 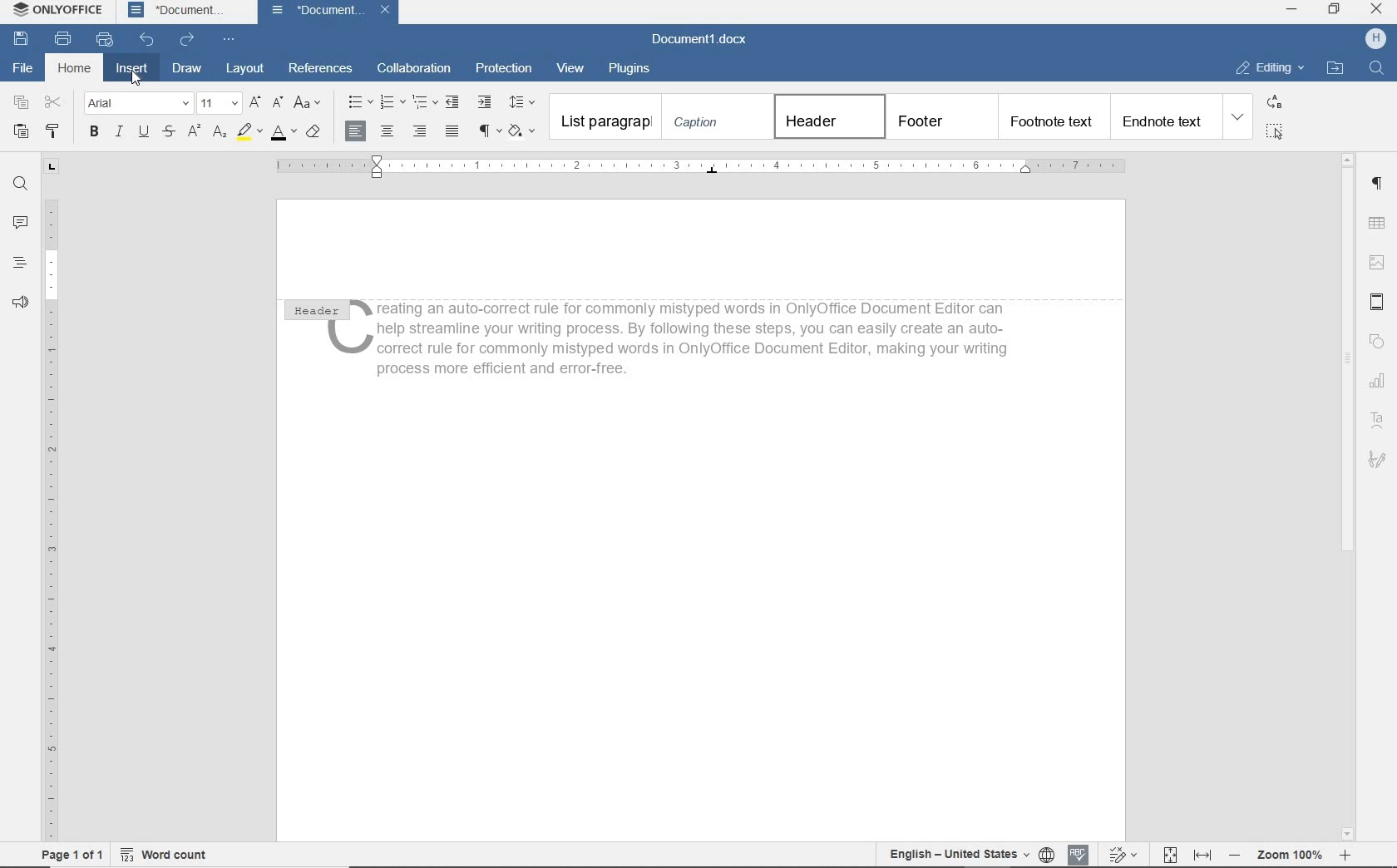 What do you see at coordinates (504, 67) in the screenshot?
I see `PROTECTION` at bounding box center [504, 67].